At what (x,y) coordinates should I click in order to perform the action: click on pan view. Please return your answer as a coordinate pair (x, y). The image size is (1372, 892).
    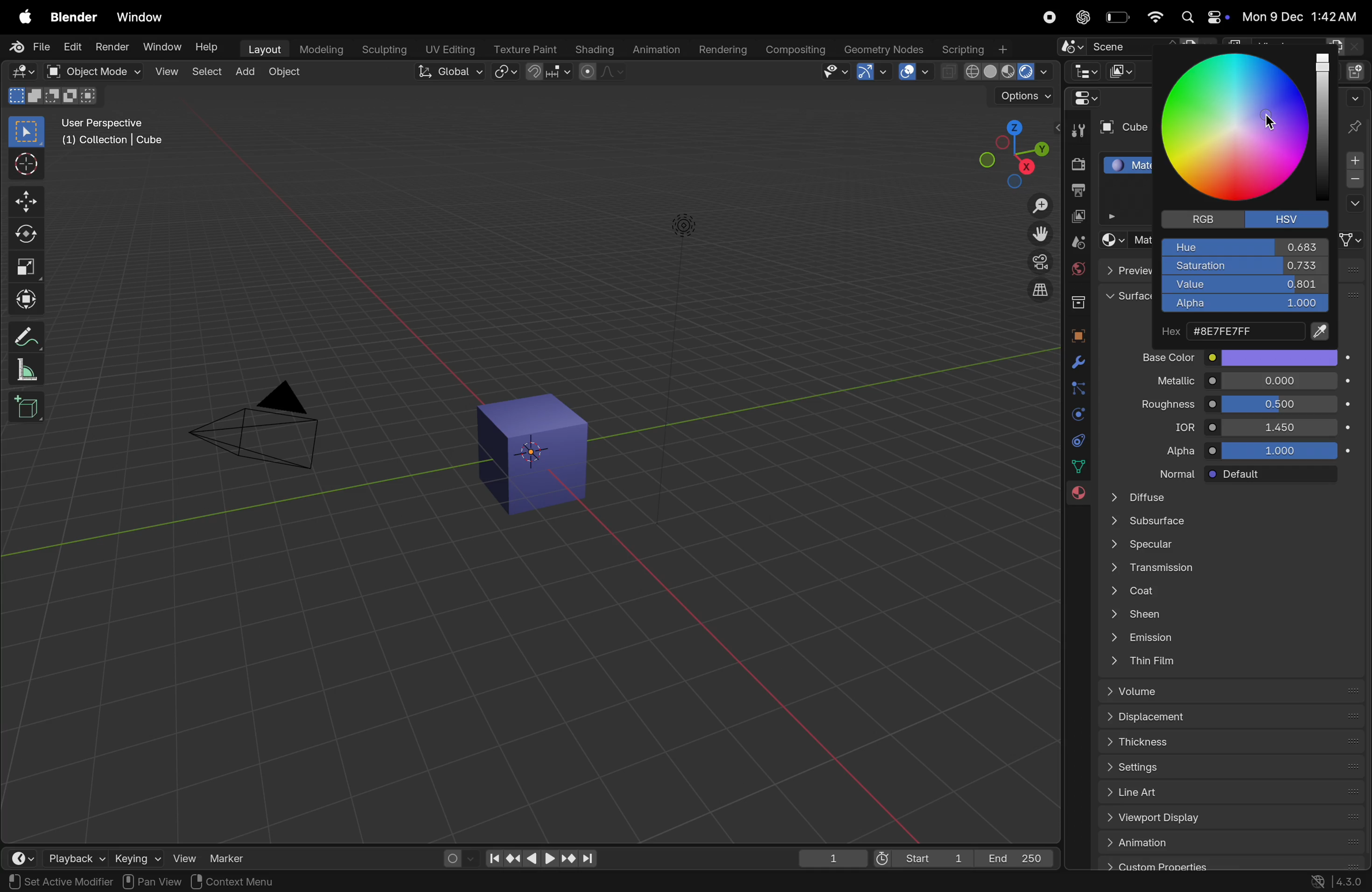
    Looking at the image, I should click on (152, 881).